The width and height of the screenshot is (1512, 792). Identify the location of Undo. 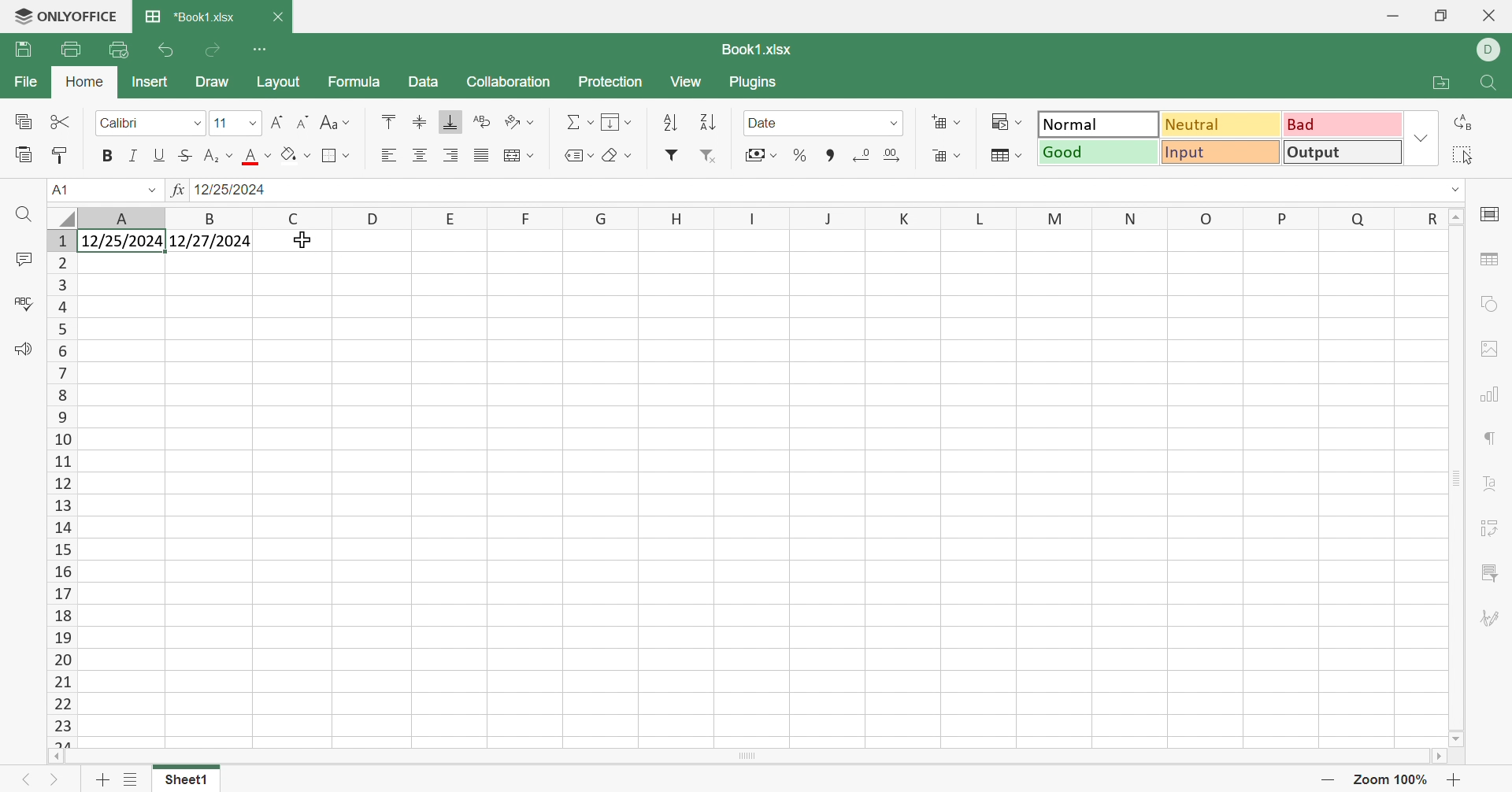
(162, 52).